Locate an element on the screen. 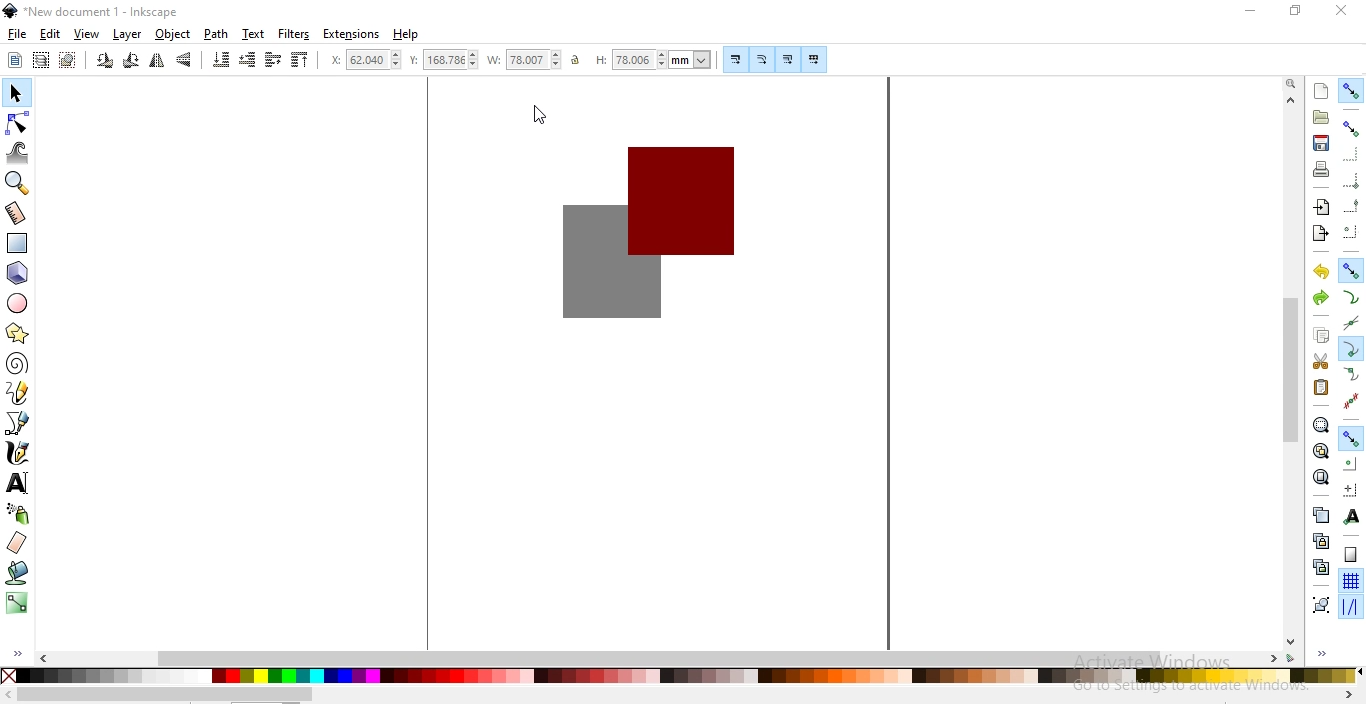  create circles, arcs and ellipses is located at coordinates (18, 304).